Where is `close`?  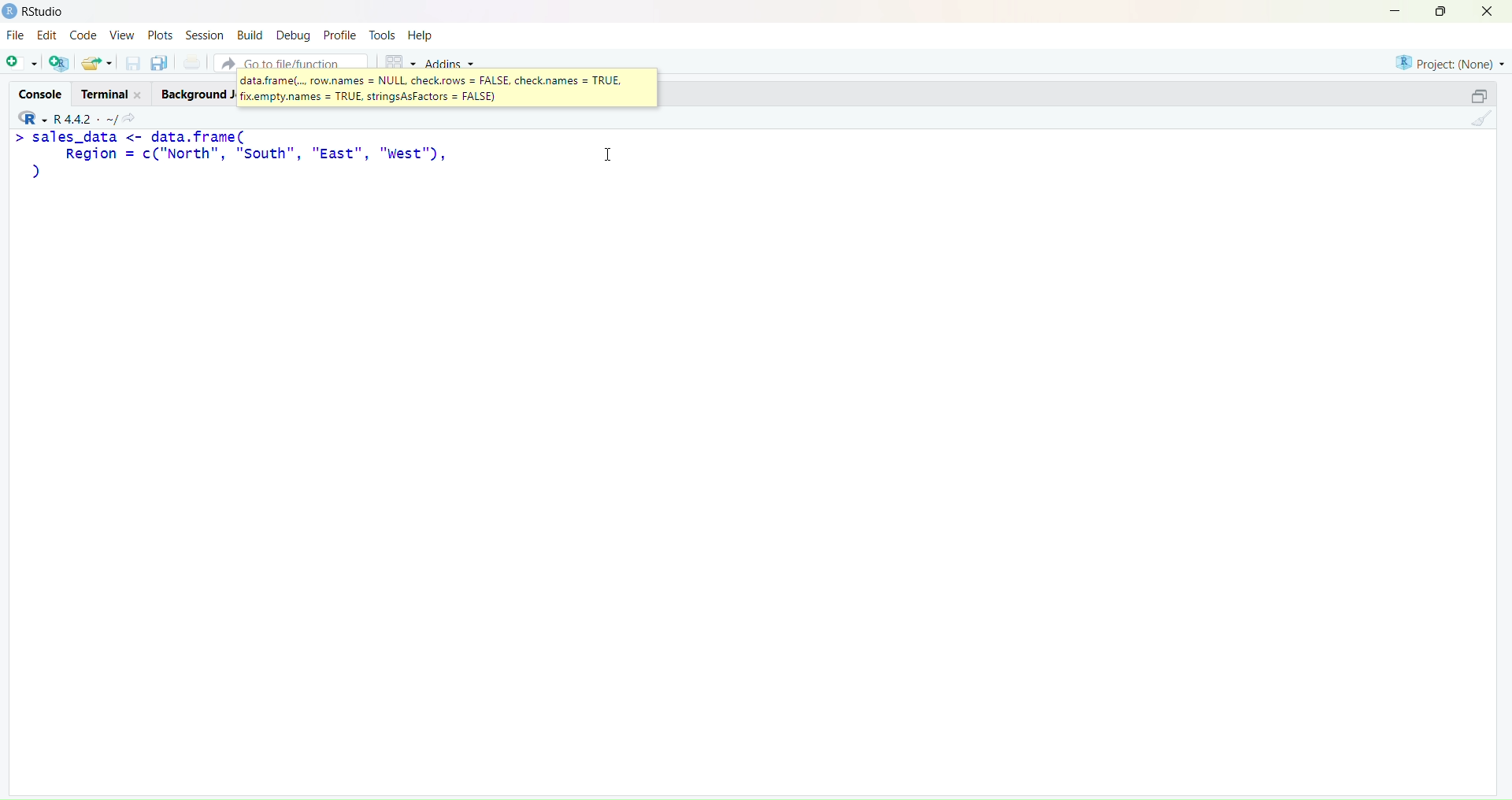 close is located at coordinates (1493, 12).